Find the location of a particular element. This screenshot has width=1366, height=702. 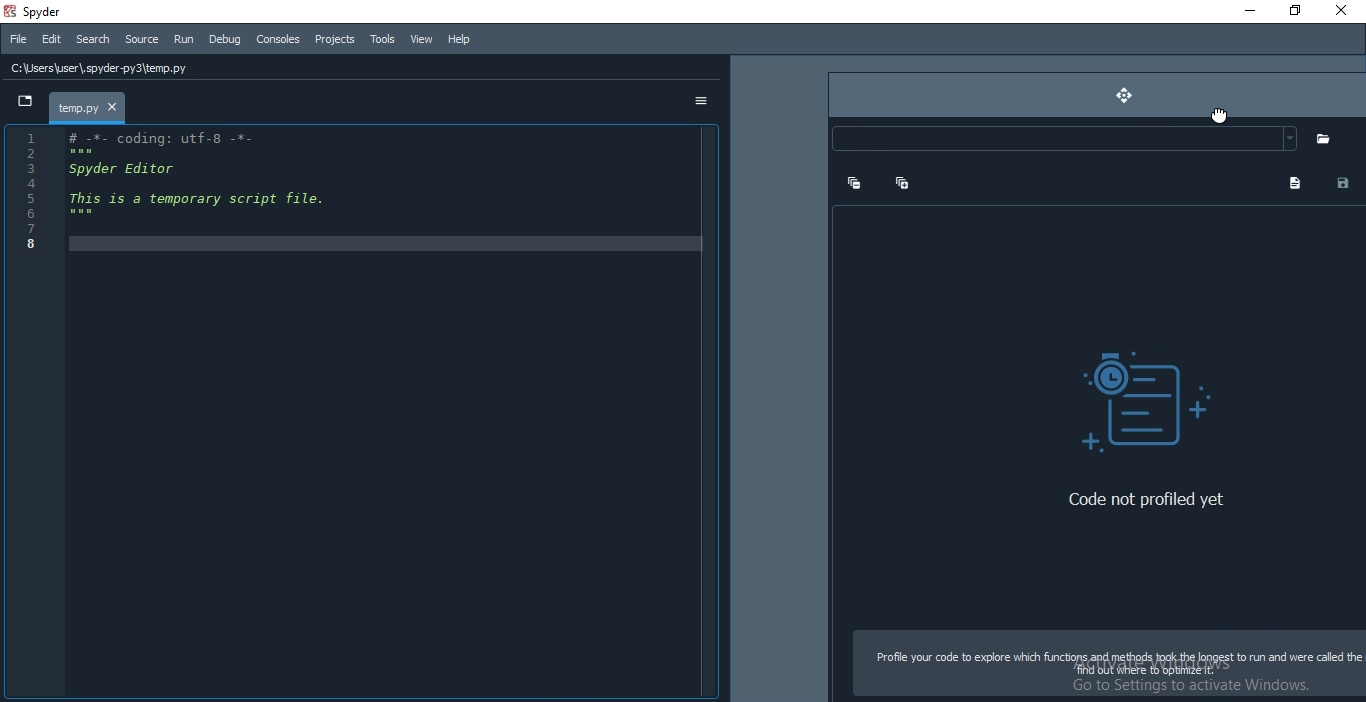

Edit is located at coordinates (50, 38).